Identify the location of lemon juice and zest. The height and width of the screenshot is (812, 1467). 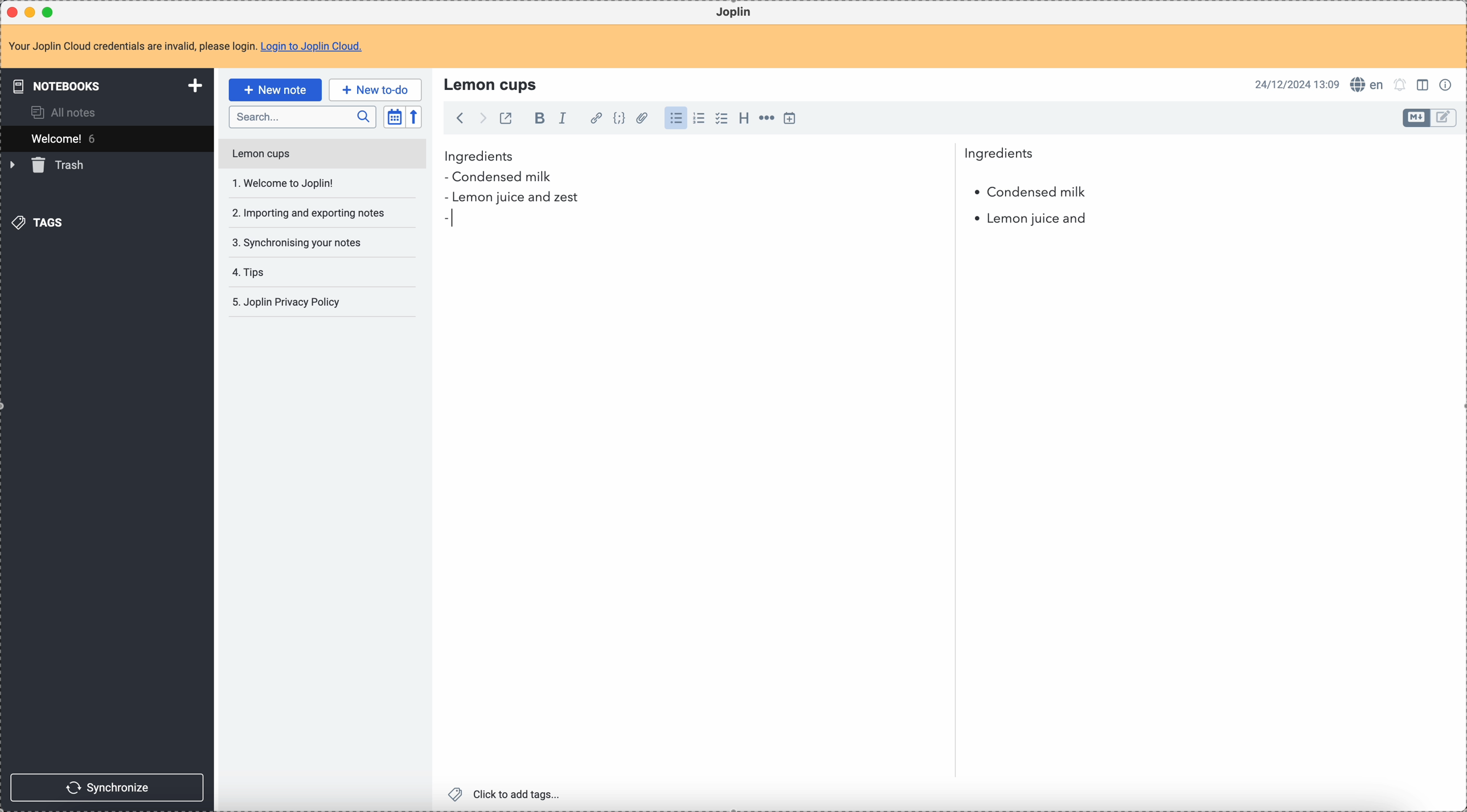
(511, 199).